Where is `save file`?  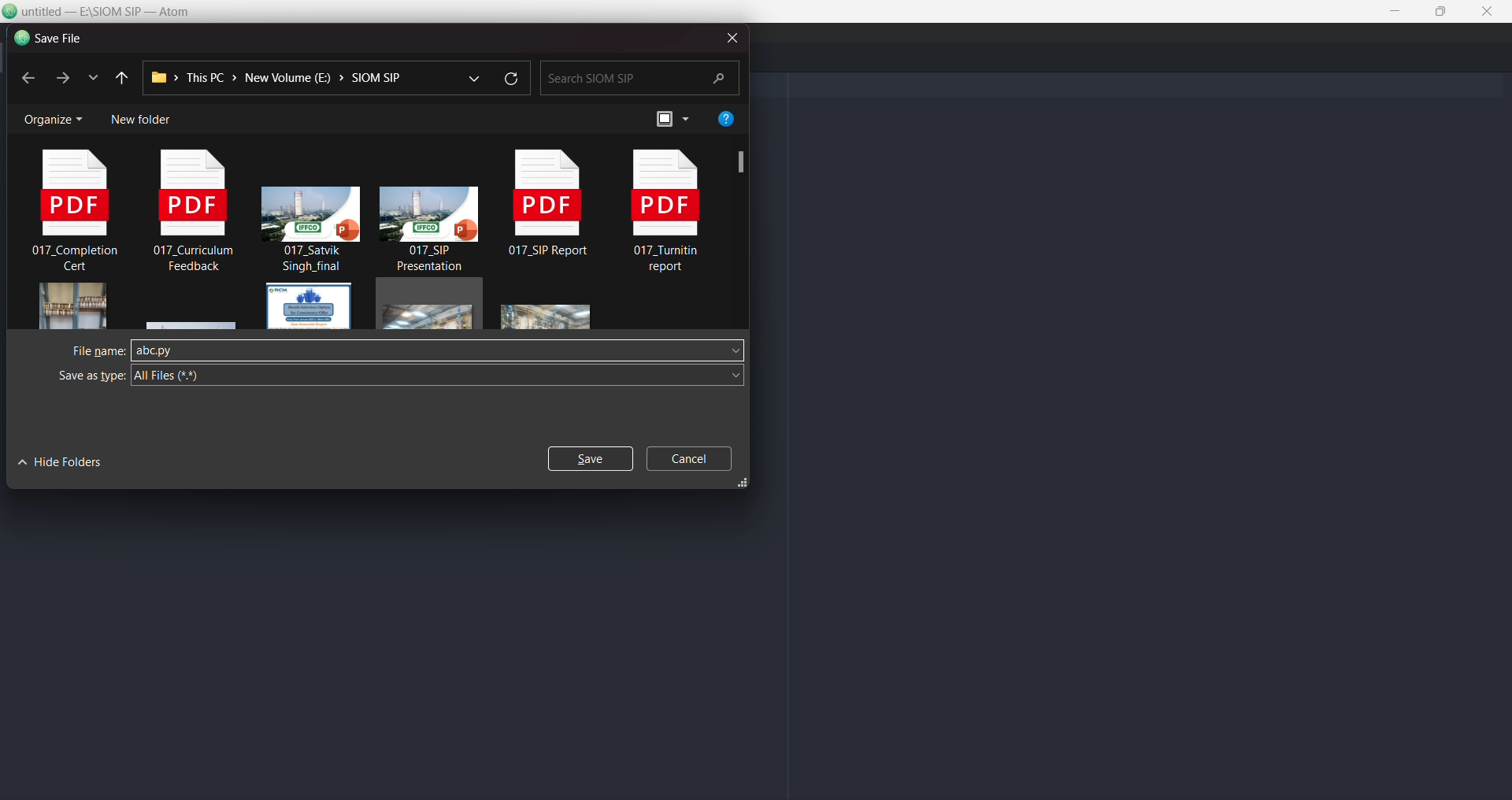
save file is located at coordinates (46, 39).